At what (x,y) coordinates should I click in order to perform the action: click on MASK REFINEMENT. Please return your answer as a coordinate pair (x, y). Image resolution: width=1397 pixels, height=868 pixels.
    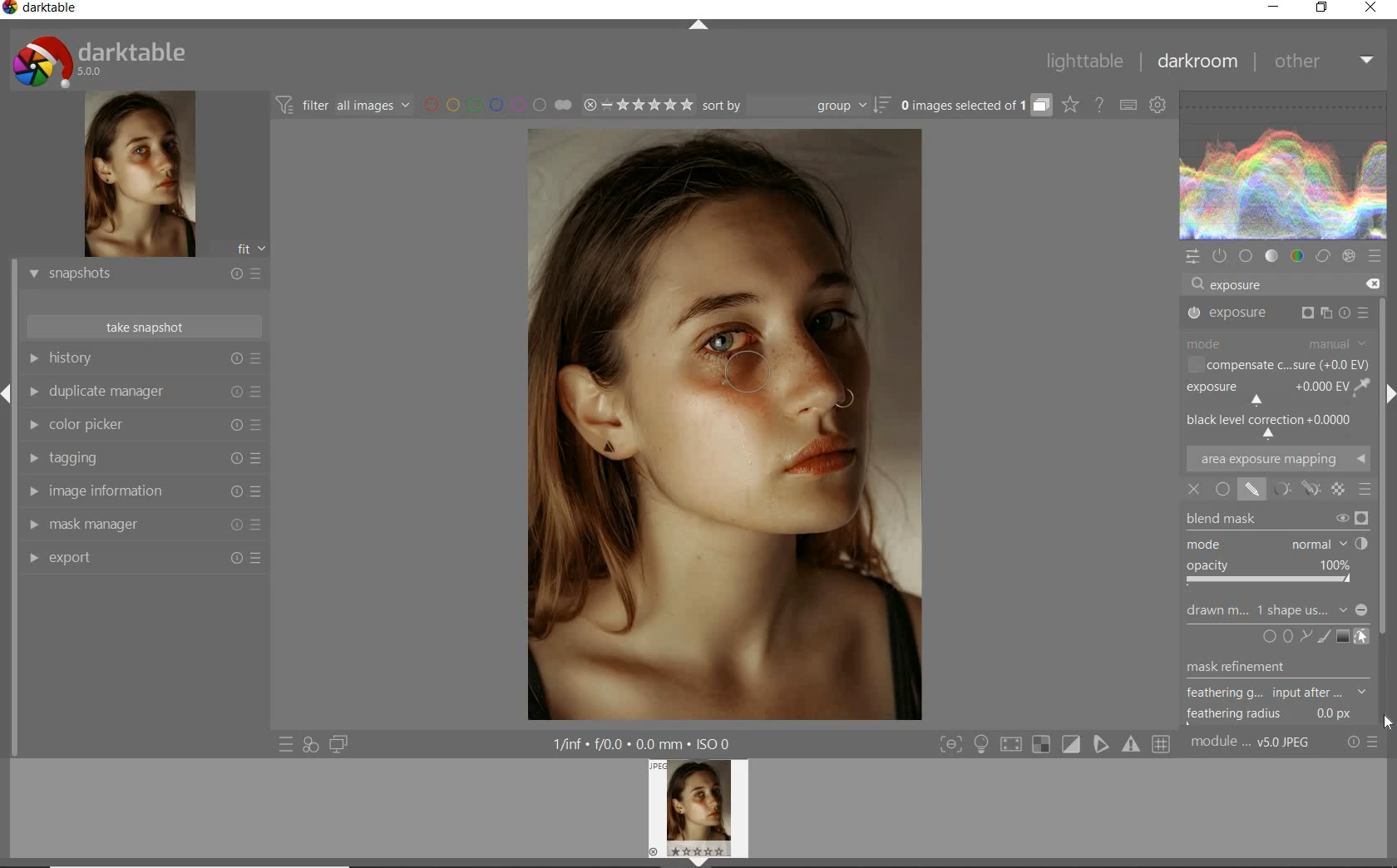
    Looking at the image, I should click on (1254, 668).